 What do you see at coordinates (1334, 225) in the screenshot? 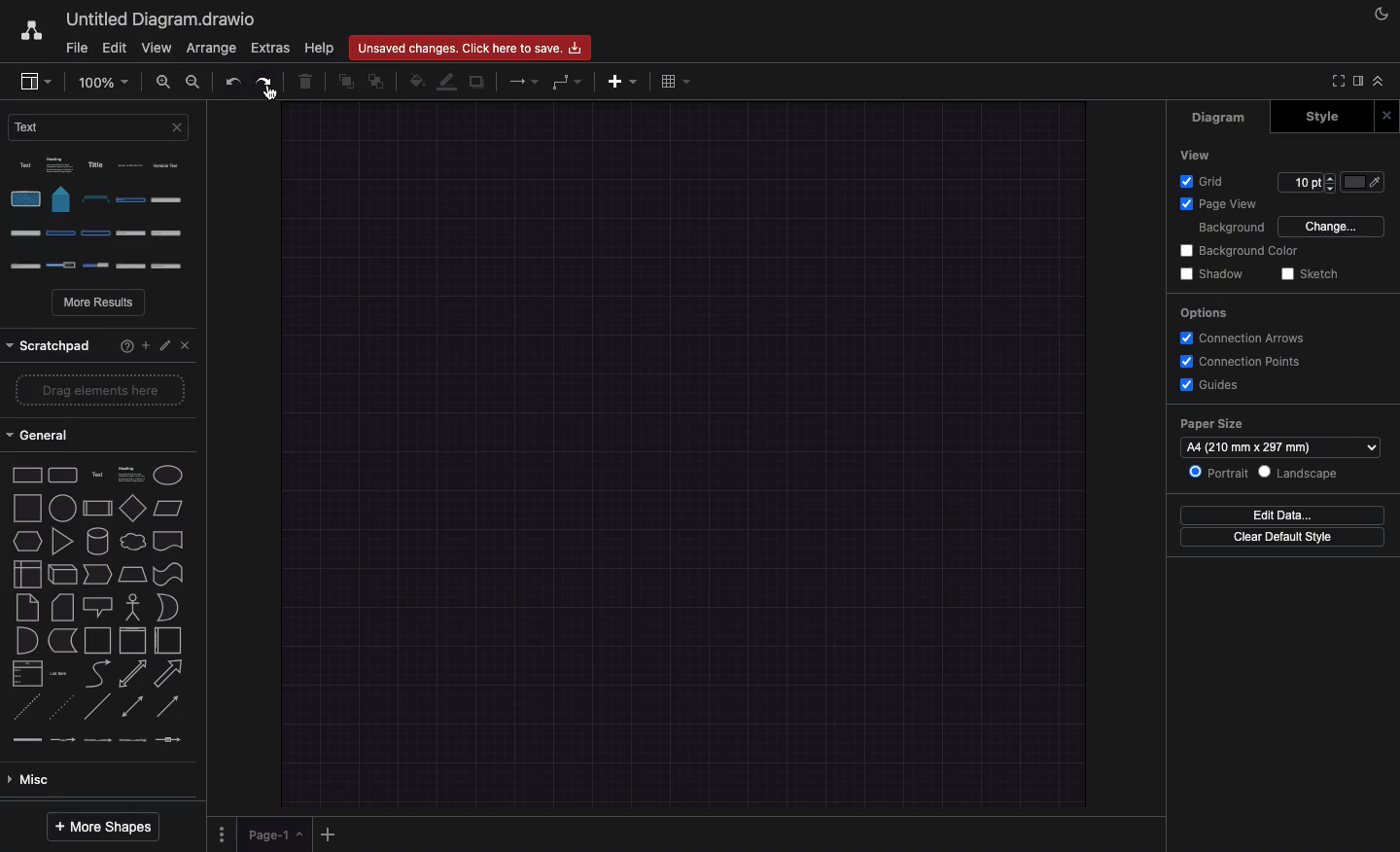
I see `Change` at bounding box center [1334, 225].